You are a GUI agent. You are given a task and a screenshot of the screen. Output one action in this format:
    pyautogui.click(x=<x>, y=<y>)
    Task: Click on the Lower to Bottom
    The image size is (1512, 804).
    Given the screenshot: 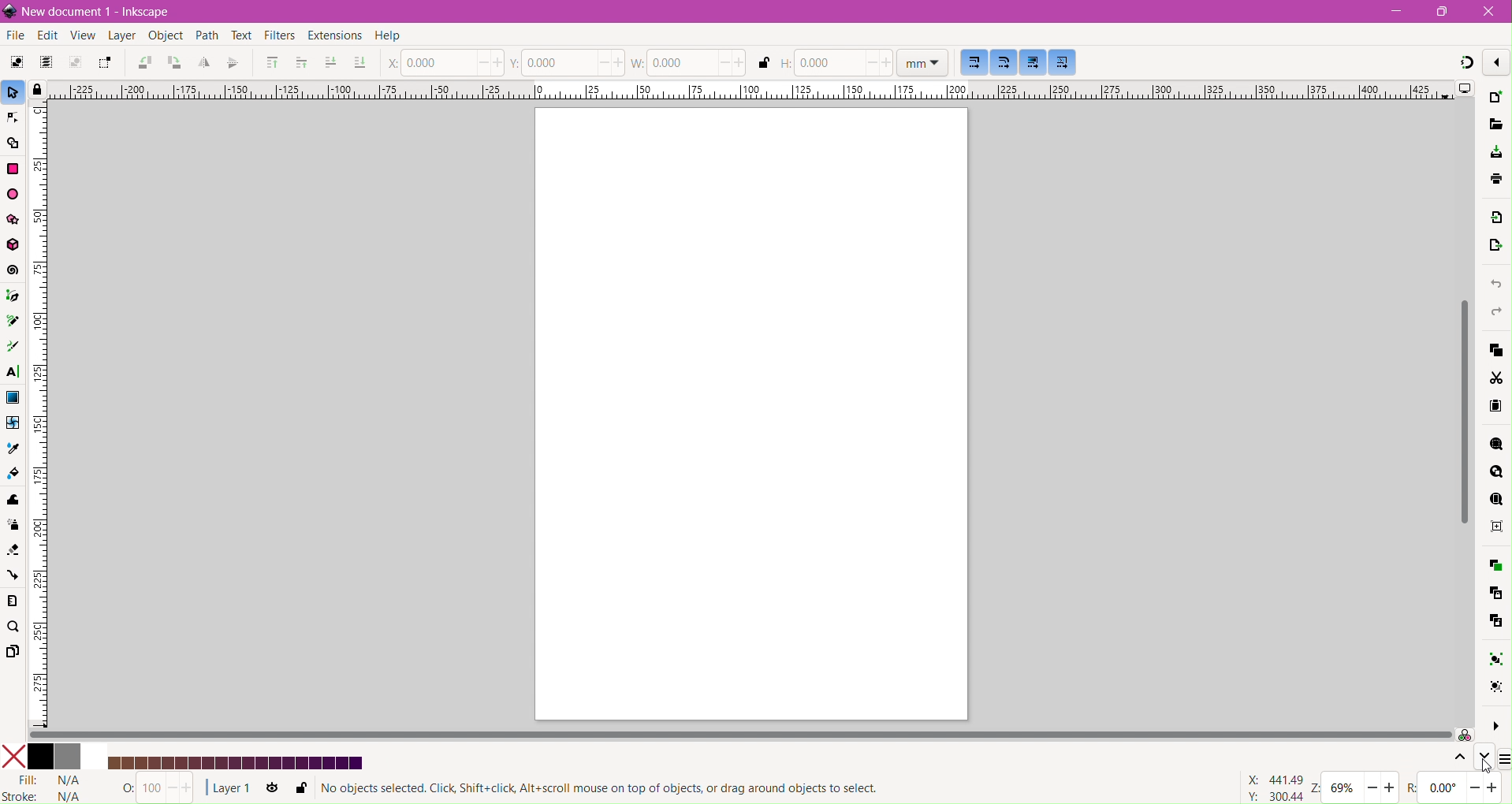 What is the action you would take?
    pyautogui.click(x=359, y=63)
    